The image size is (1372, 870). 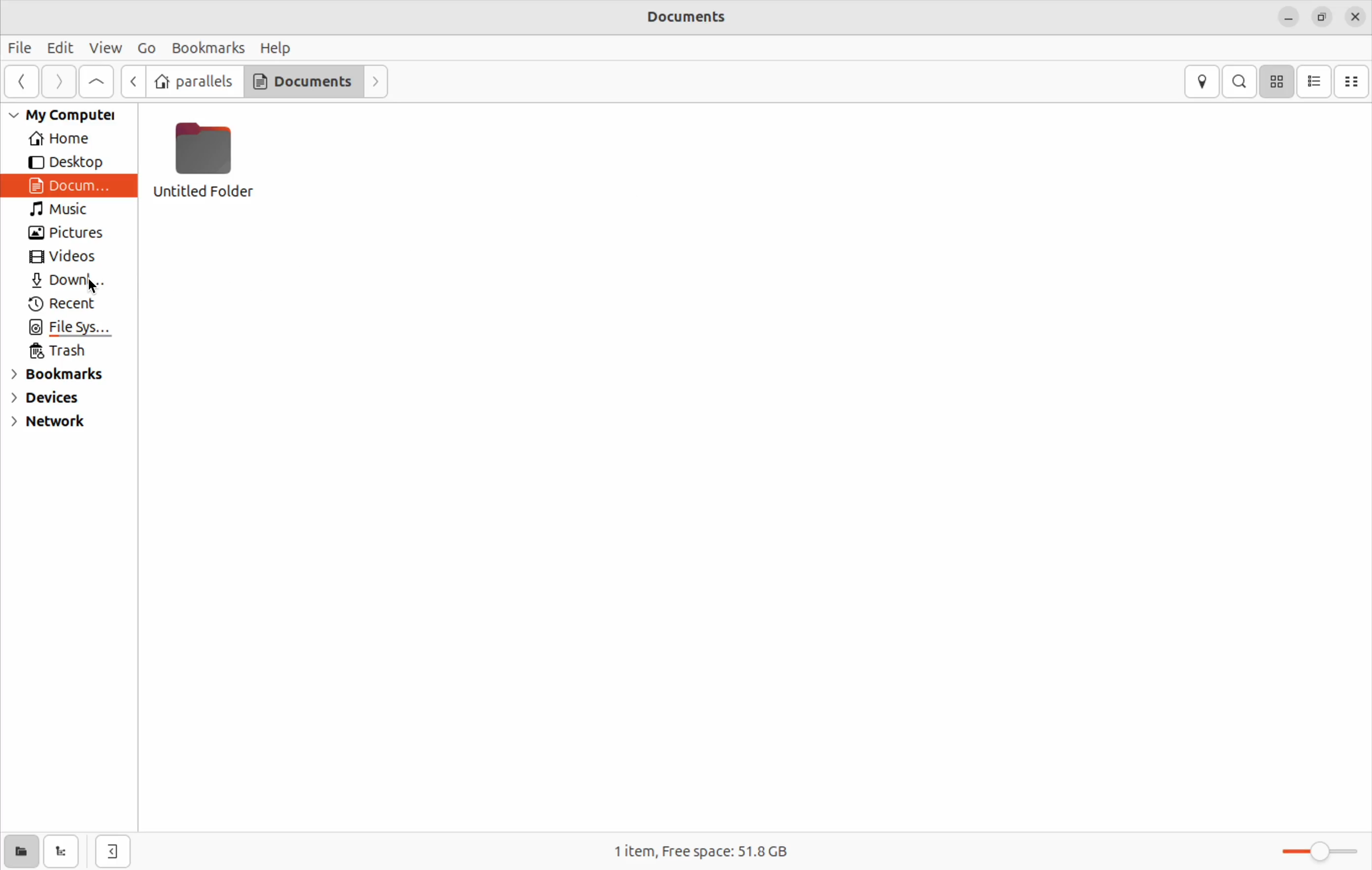 I want to click on Go back ward, so click(x=19, y=82).